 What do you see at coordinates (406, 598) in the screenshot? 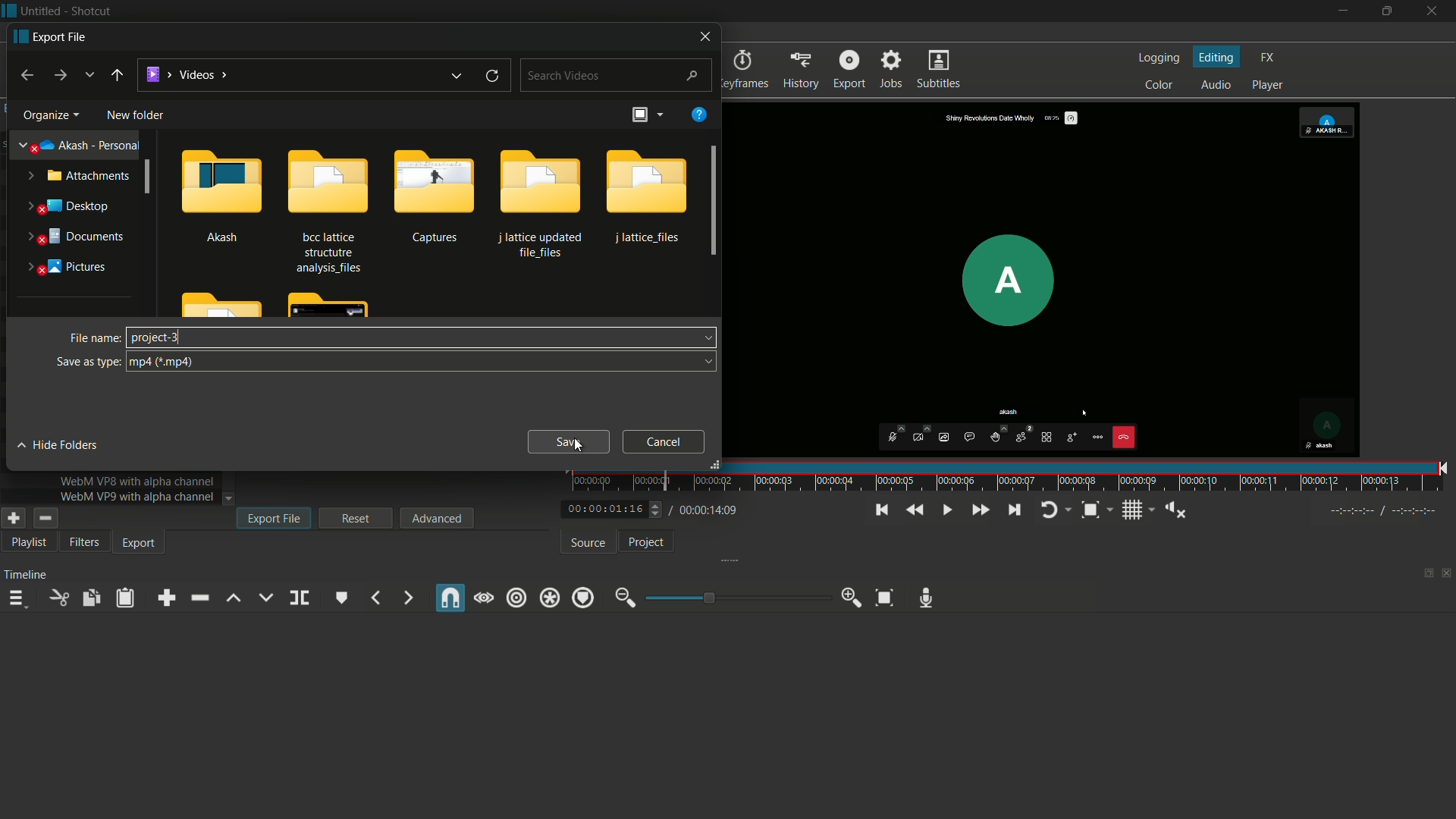
I see `next marker` at bounding box center [406, 598].